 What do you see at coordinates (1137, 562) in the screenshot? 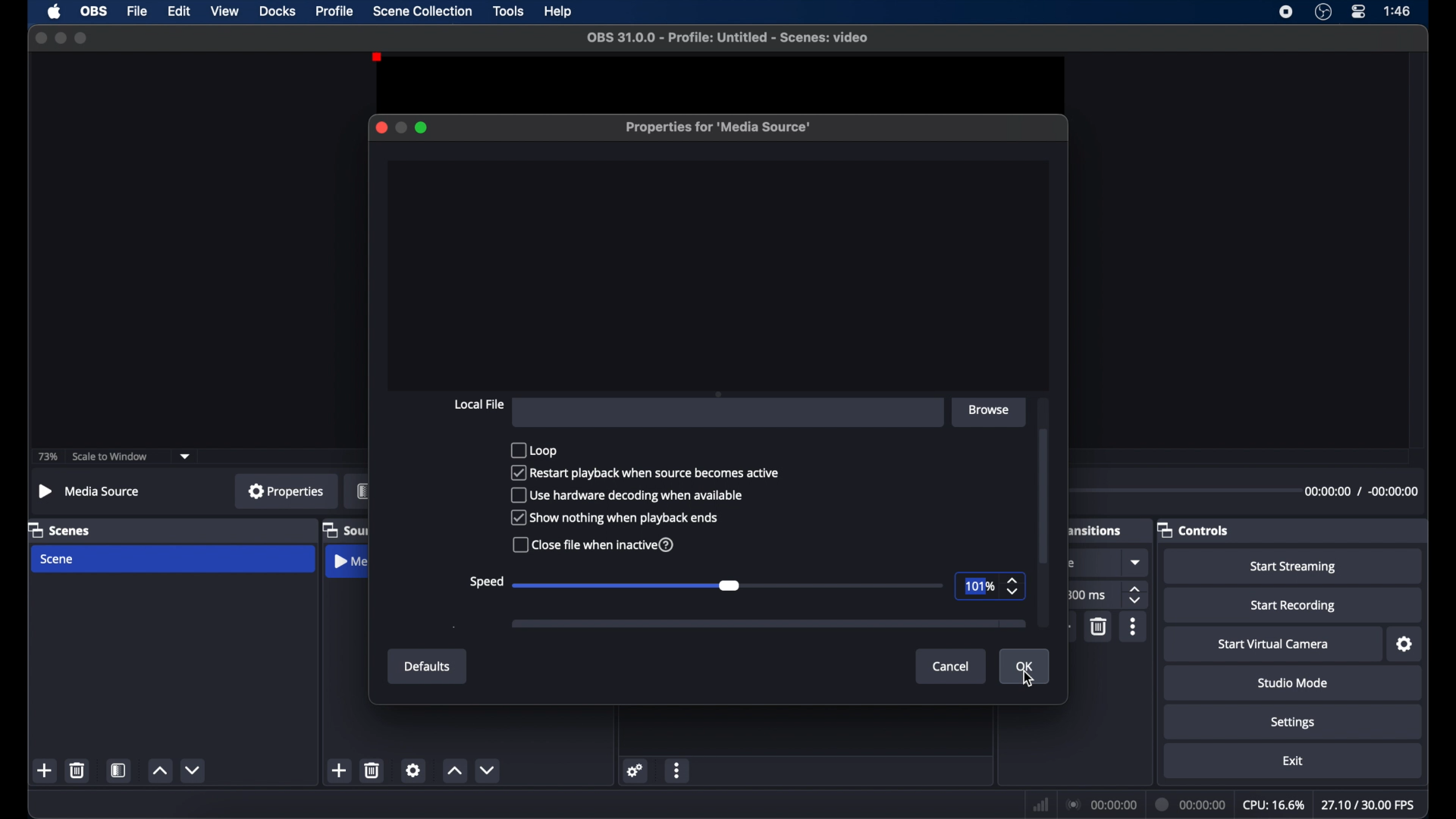
I see `dropdown` at bounding box center [1137, 562].